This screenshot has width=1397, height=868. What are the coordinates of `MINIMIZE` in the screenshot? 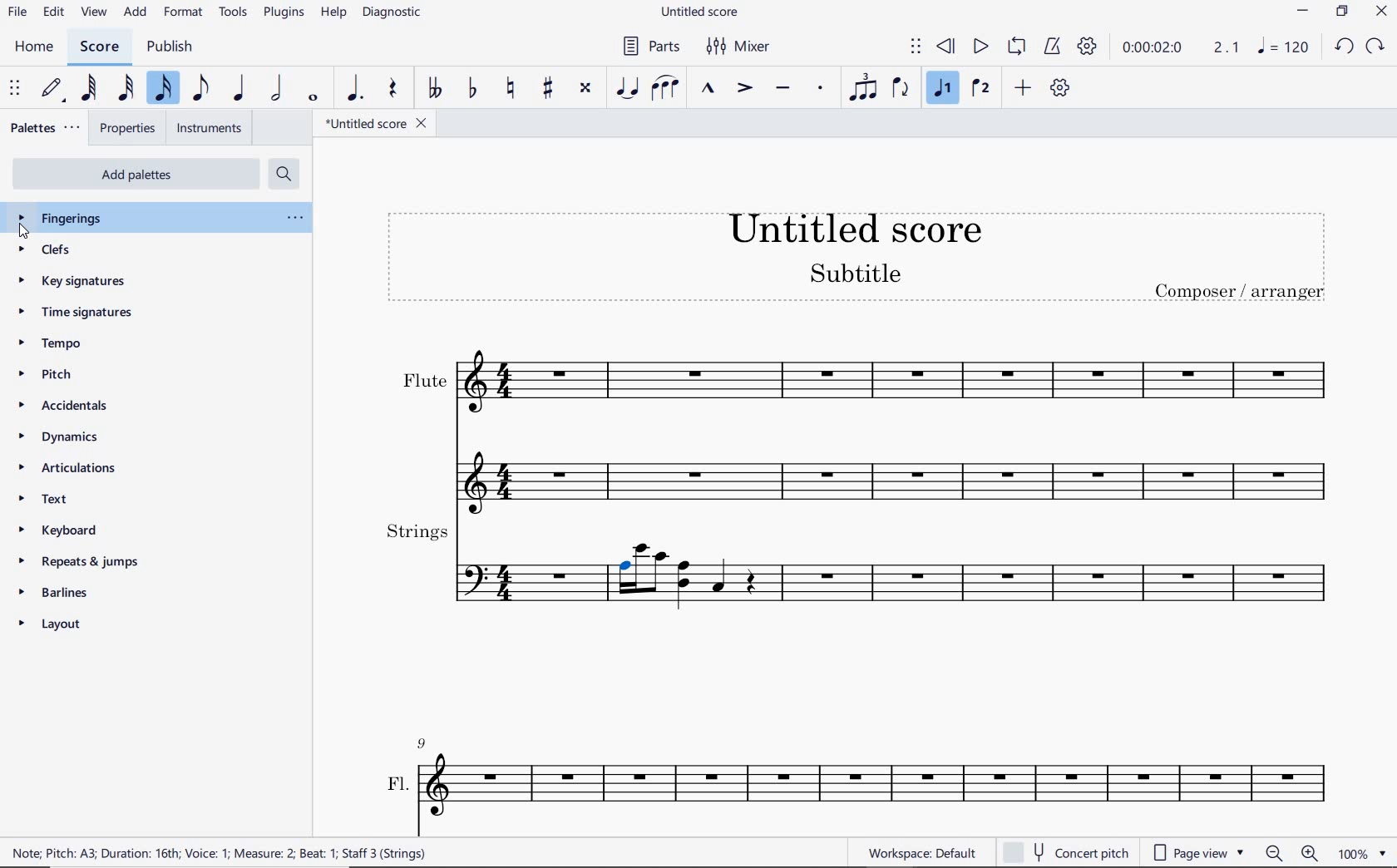 It's located at (1301, 12).